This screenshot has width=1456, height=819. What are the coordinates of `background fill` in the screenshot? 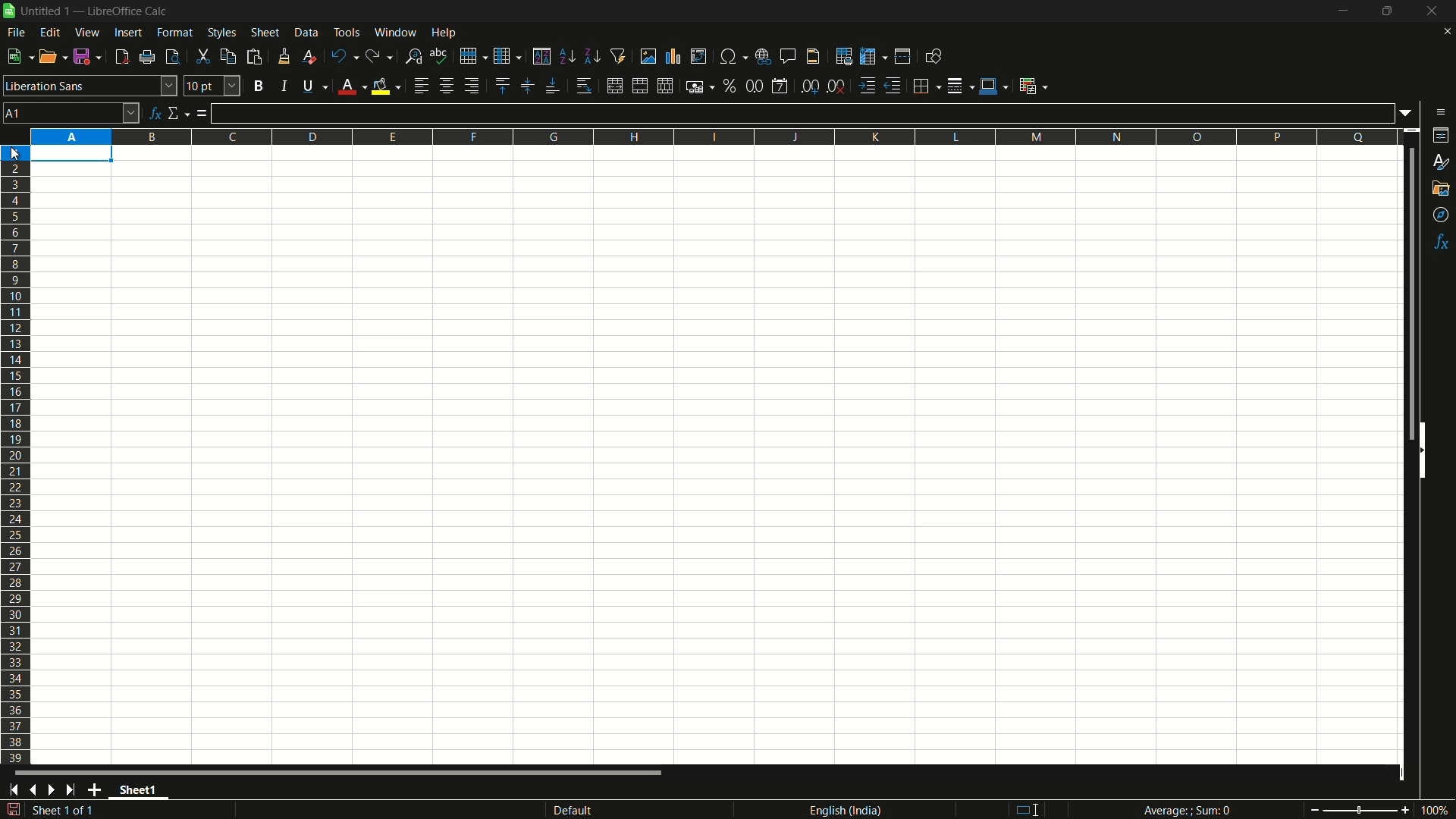 It's located at (385, 86).